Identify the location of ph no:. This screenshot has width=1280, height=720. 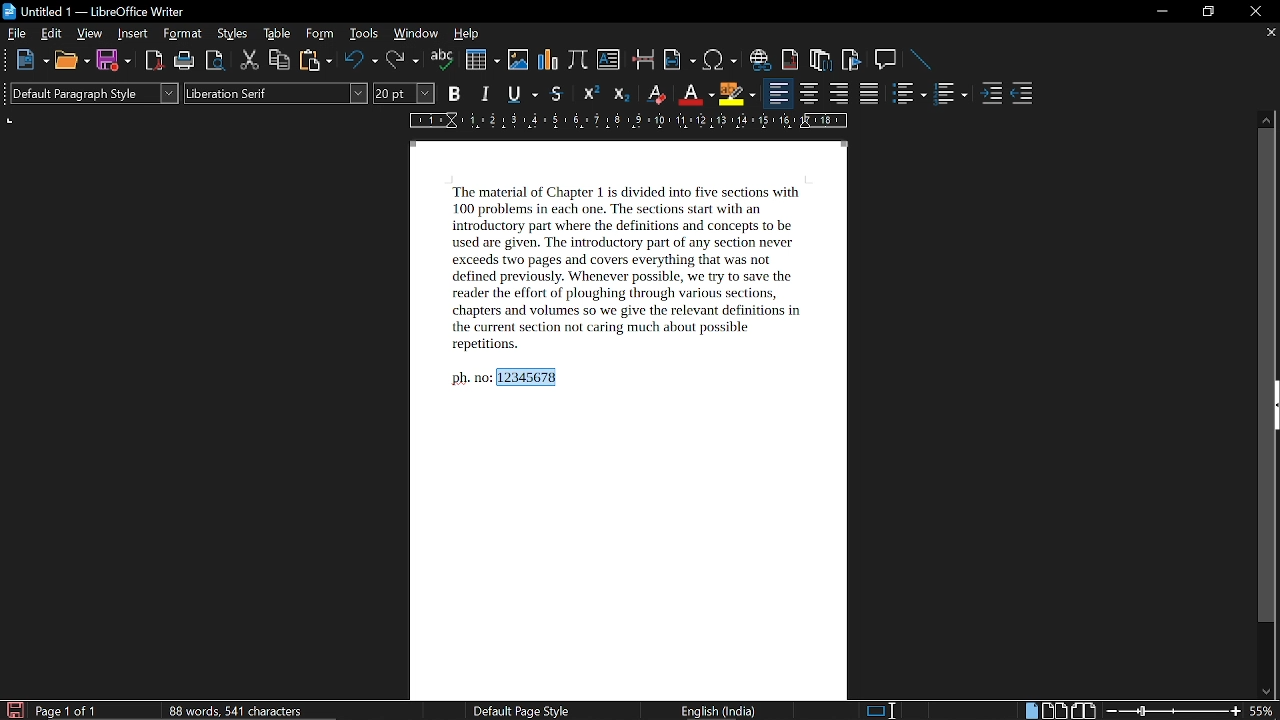
(470, 377).